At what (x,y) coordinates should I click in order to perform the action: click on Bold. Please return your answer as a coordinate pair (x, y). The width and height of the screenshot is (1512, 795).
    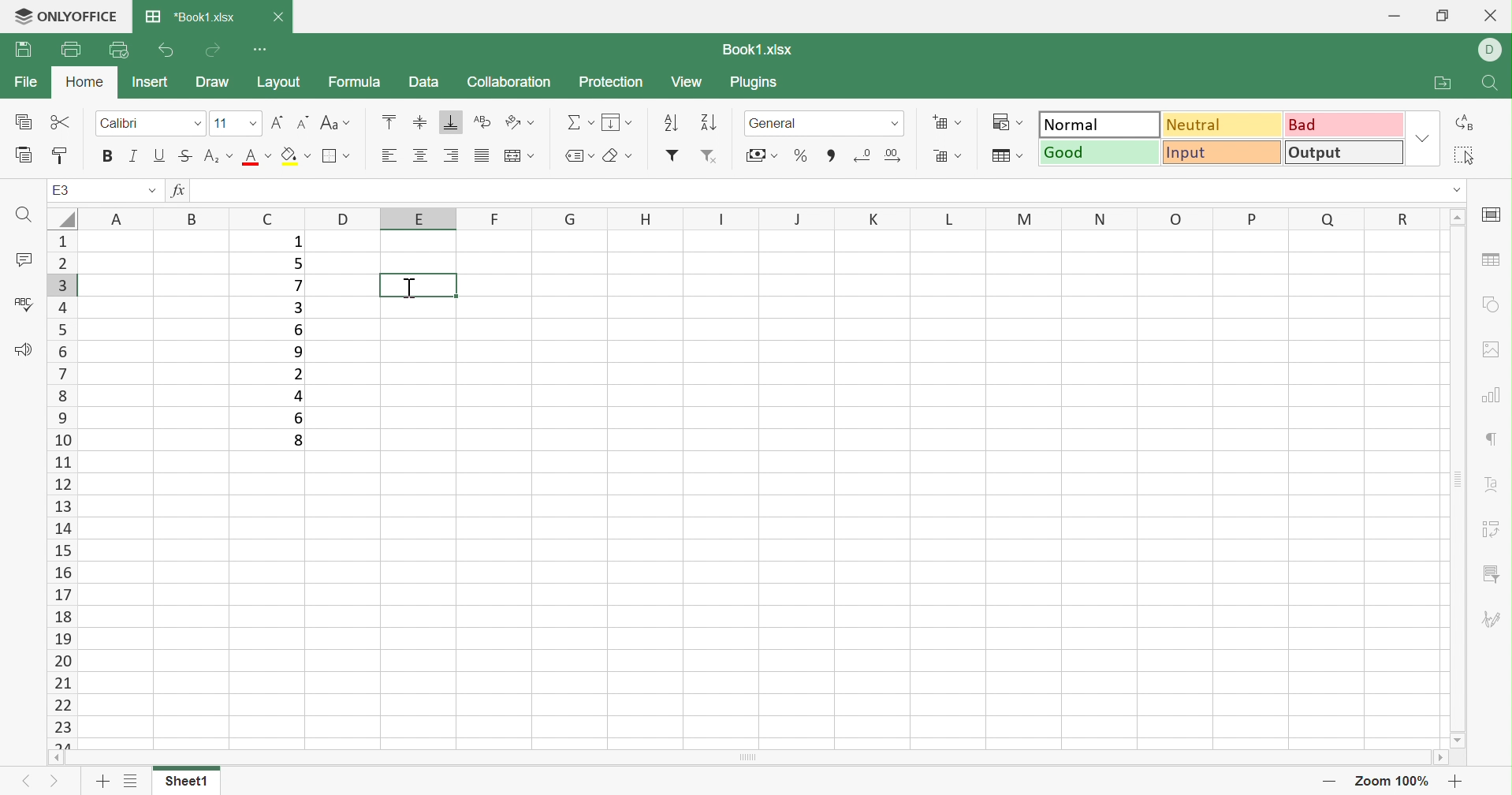
    Looking at the image, I should click on (106, 158).